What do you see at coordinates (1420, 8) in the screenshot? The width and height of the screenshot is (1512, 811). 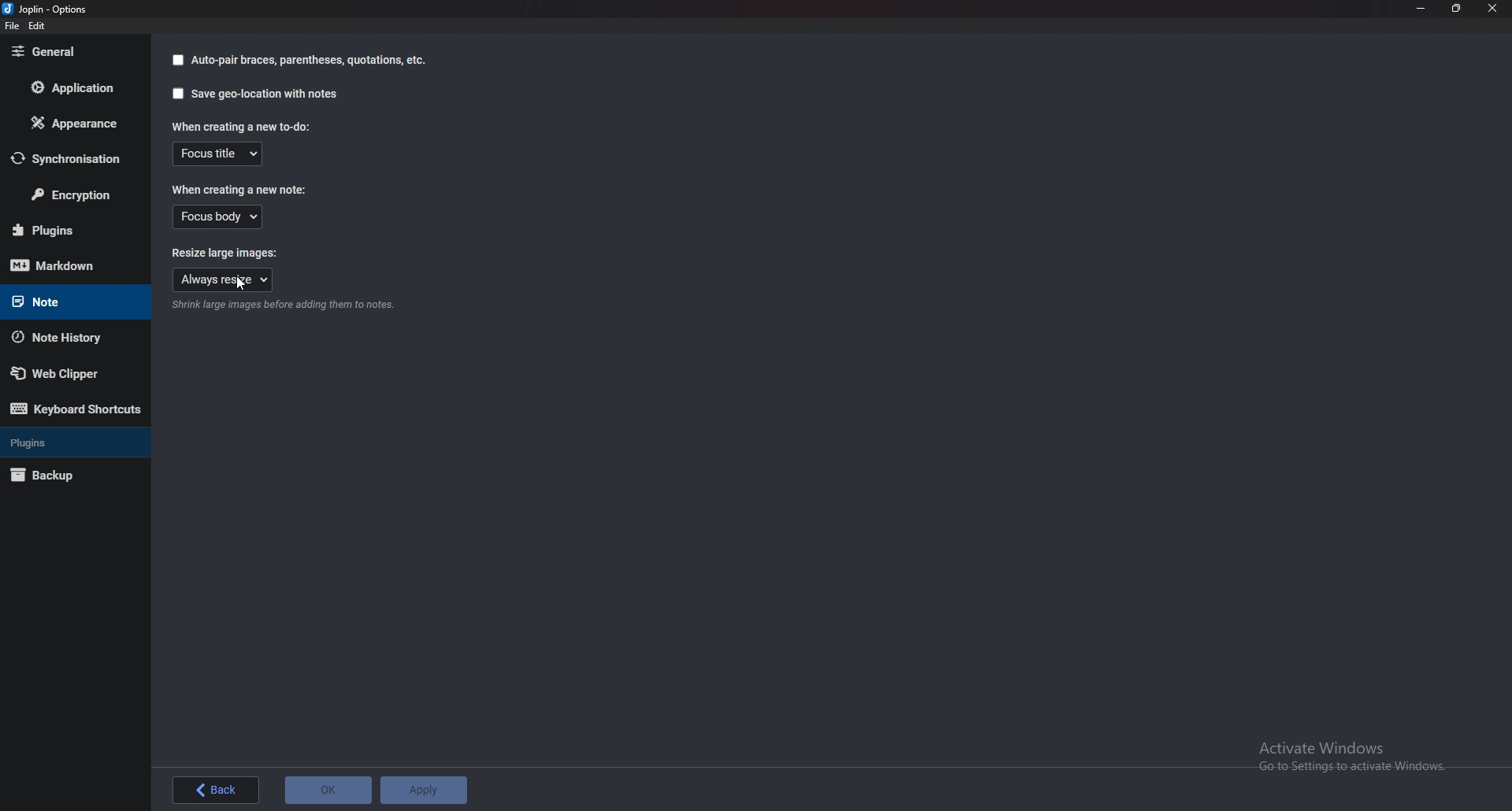 I see `Minimize` at bounding box center [1420, 8].